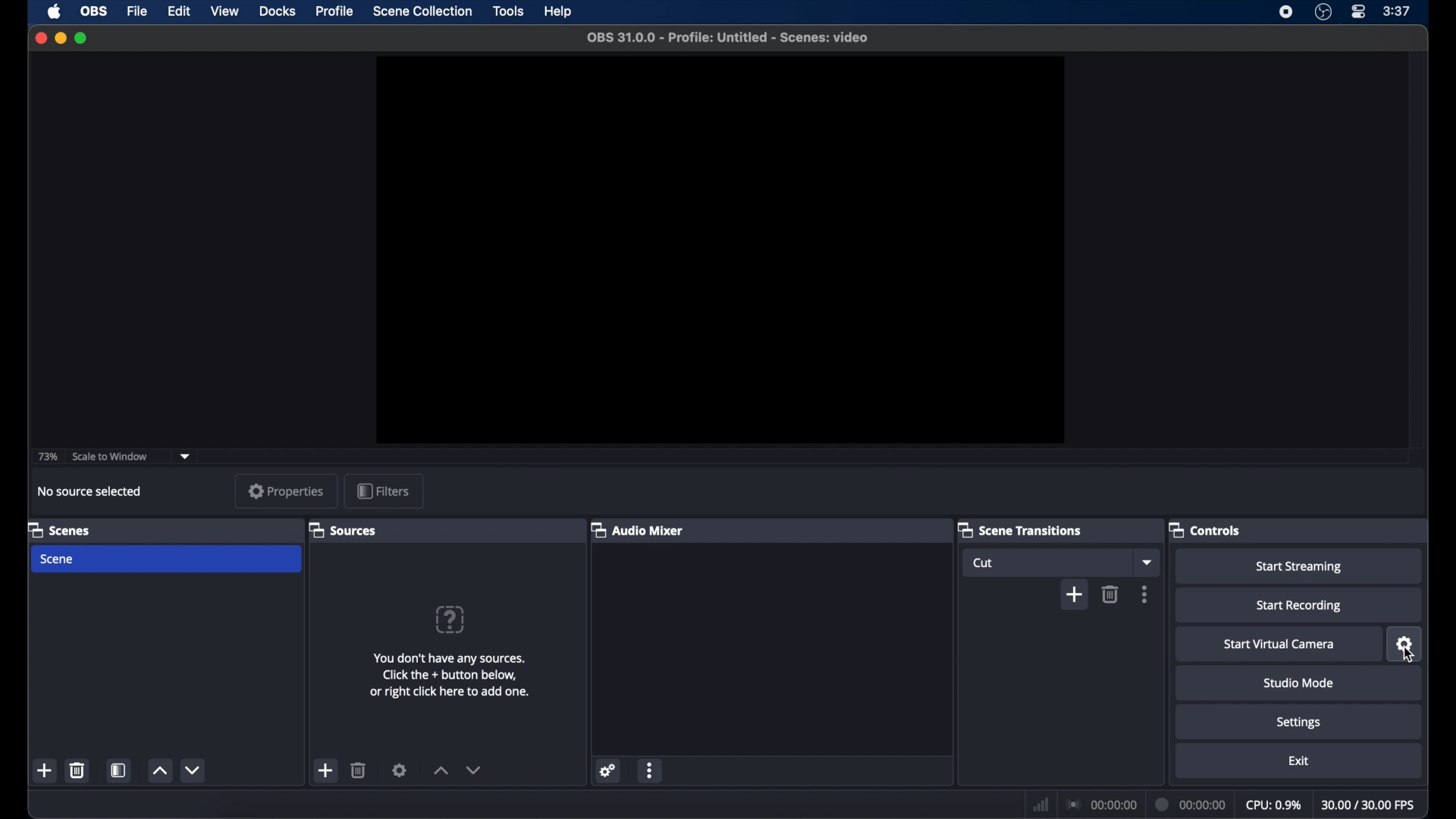 The height and width of the screenshot is (819, 1456). I want to click on decrement, so click(192, 770).